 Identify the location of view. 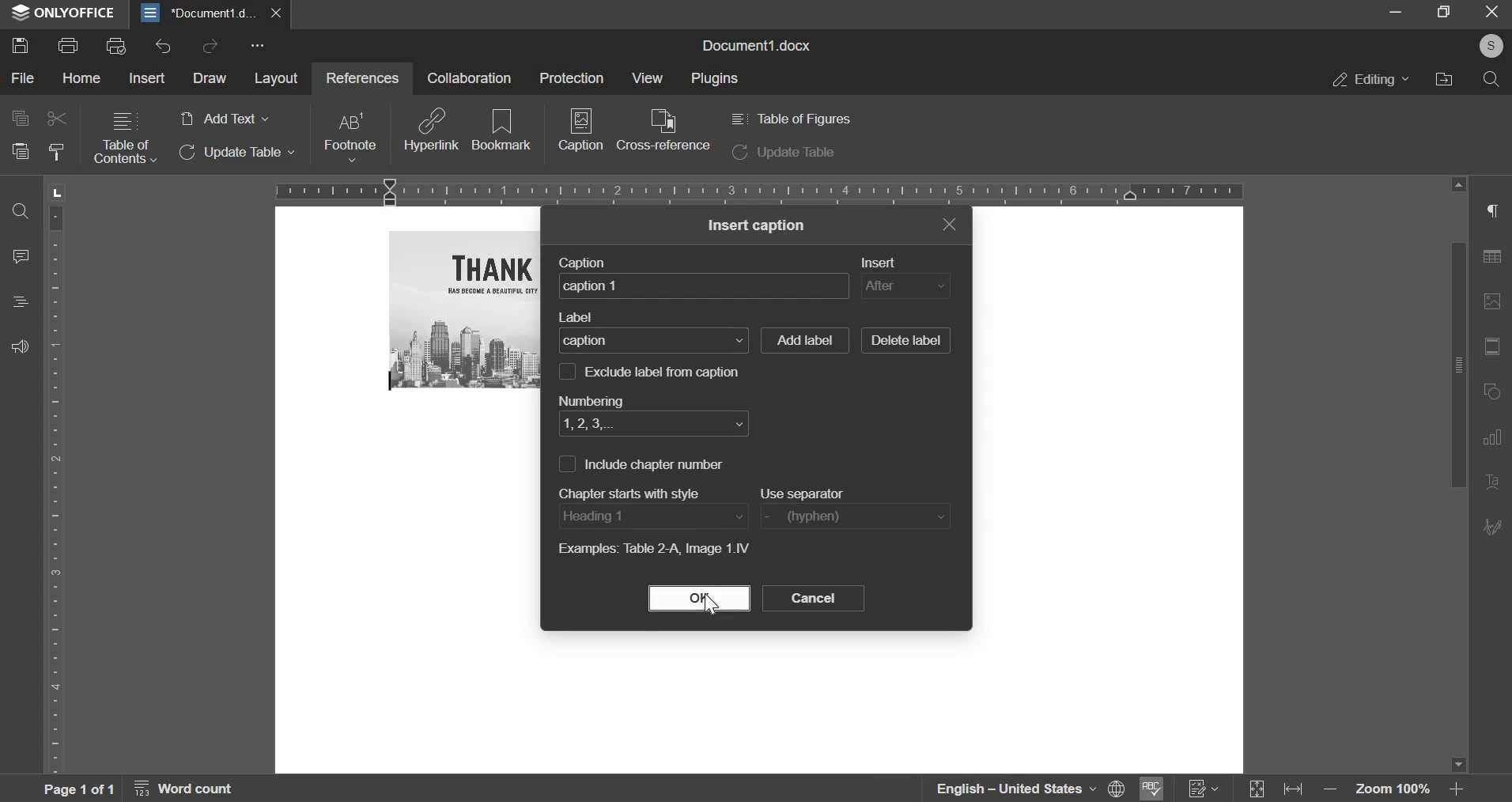
(645, 78).